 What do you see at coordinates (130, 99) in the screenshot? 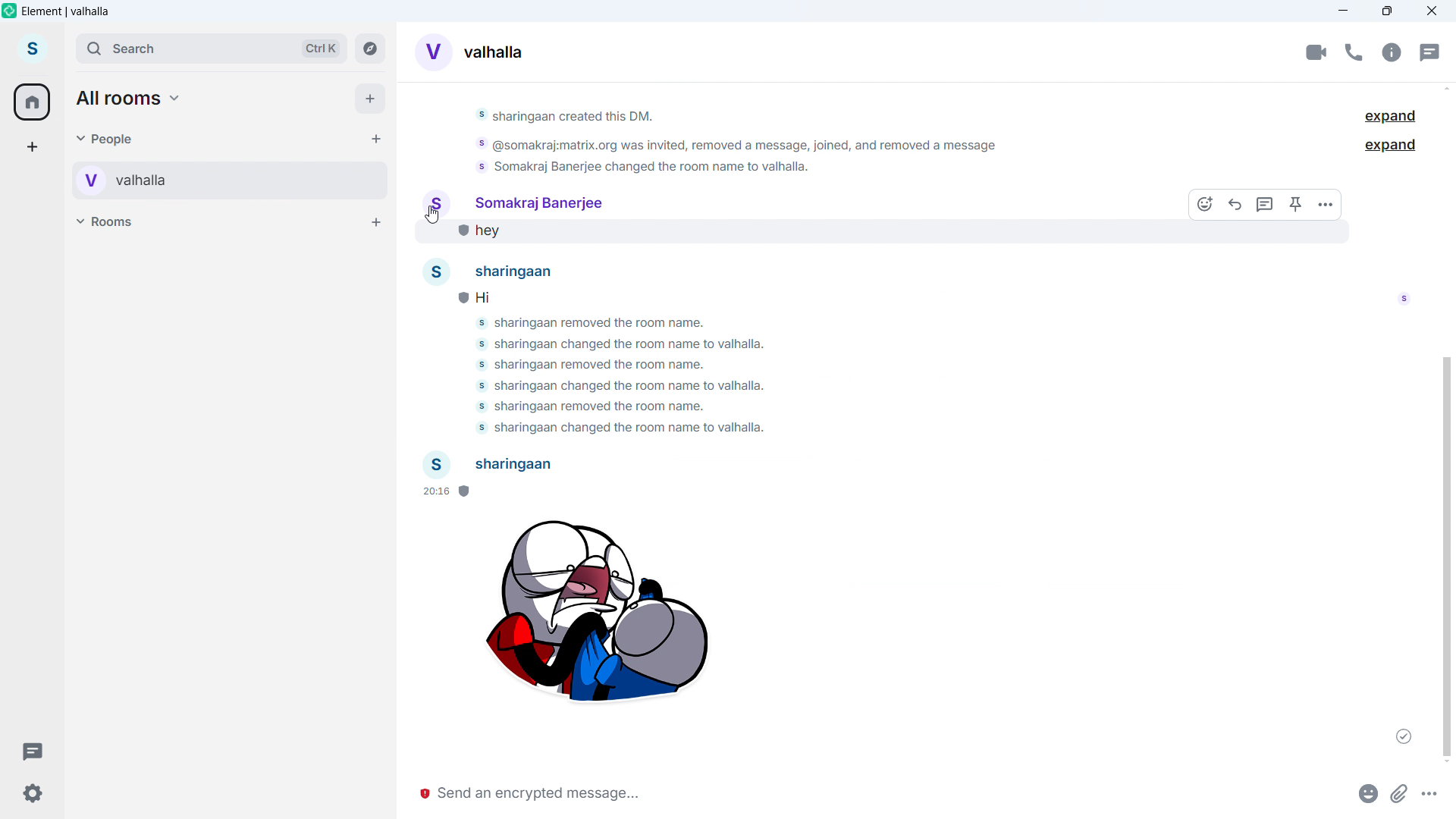
I see `All rooms ` at bounding box center [130, 99].